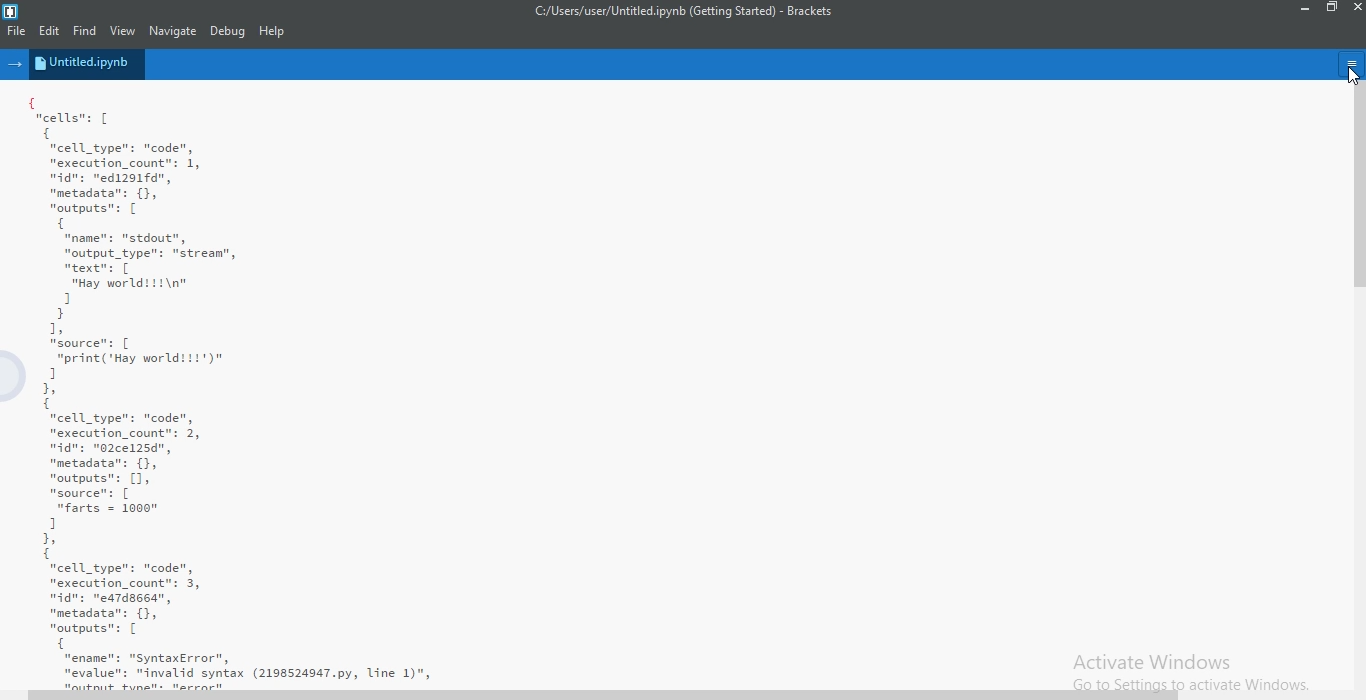  What do you see at coordinates (1349, 62) in the screenshot?
I see `menu` at bounding box center [1349, 62].